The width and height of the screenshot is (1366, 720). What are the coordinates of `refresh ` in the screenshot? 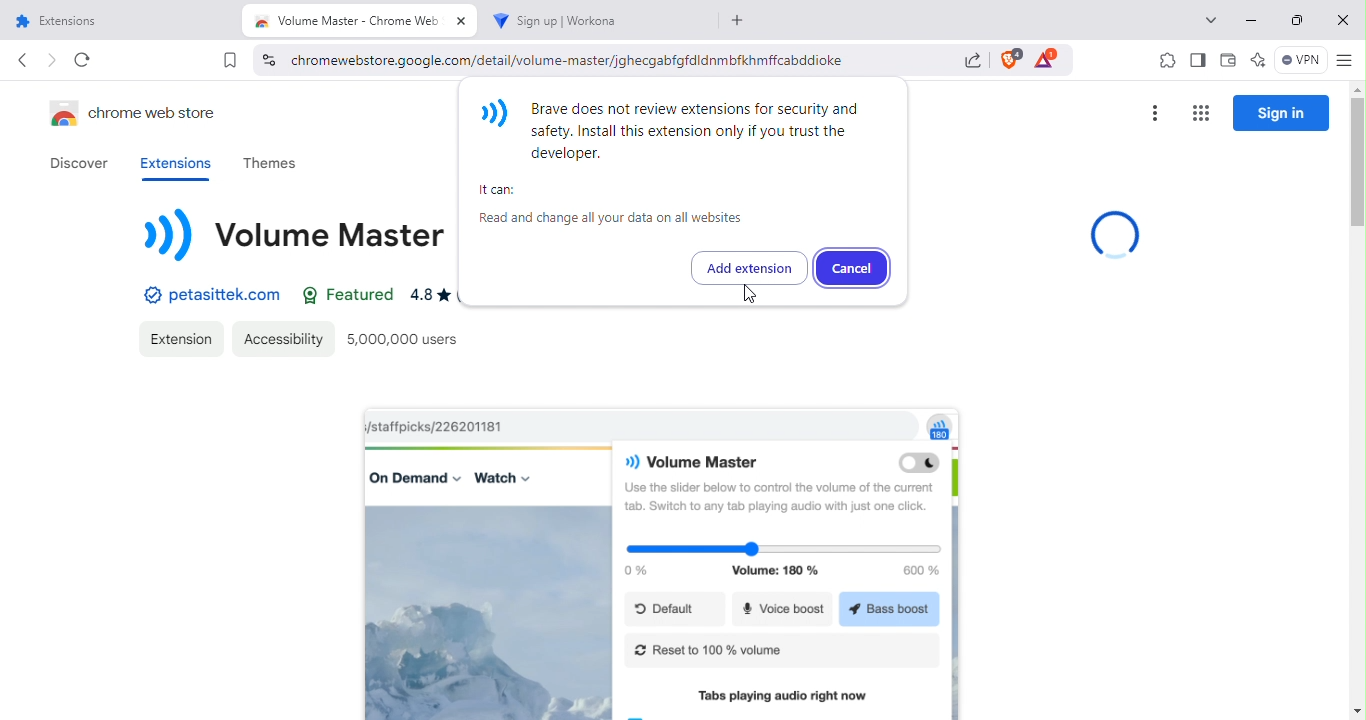 It's located at (82, 61).